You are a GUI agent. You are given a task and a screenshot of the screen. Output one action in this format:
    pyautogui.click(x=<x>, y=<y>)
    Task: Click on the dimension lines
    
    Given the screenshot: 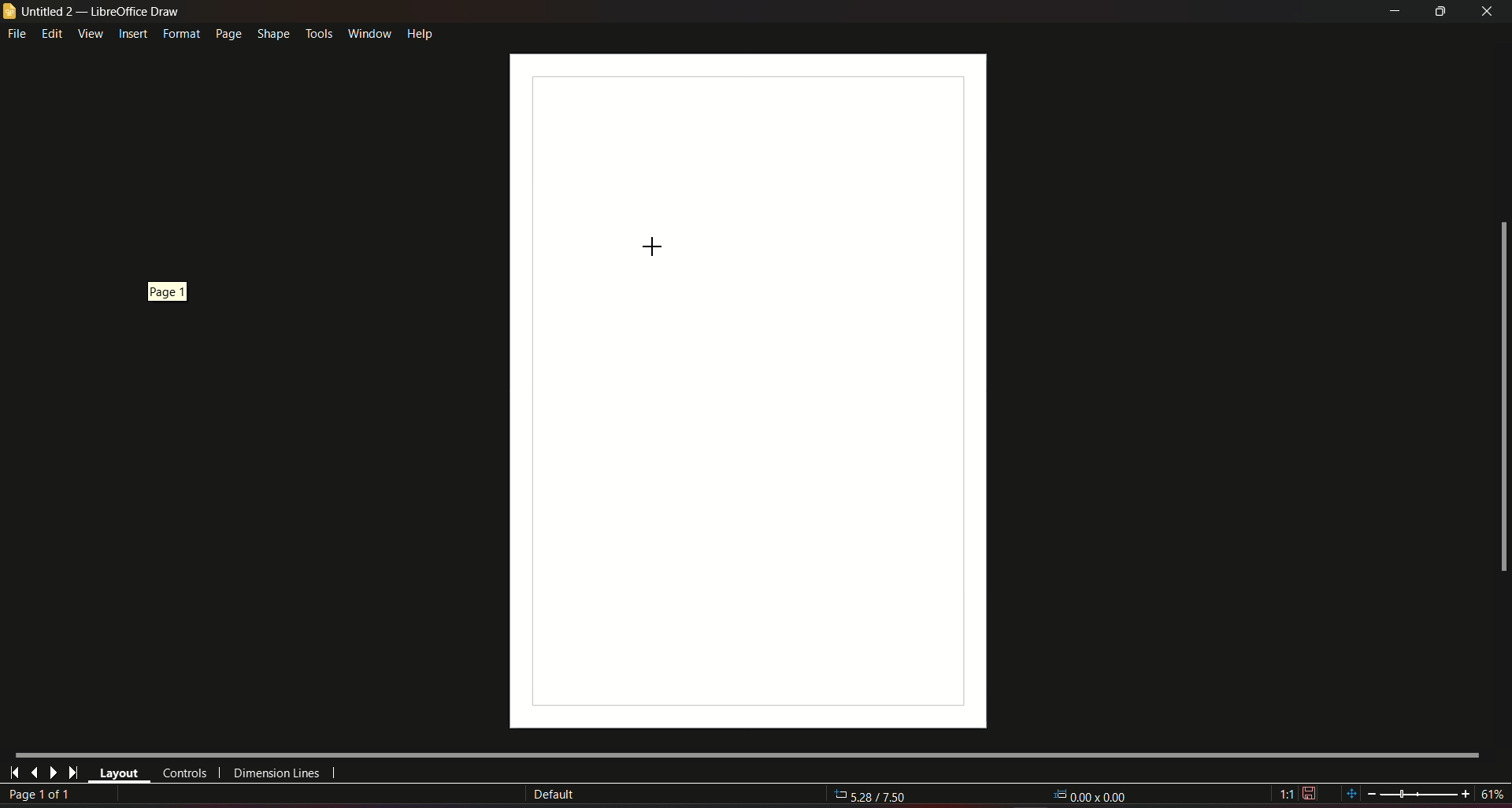 What is the action you would take?
    pyautogui.click(x=277, y=776)
    